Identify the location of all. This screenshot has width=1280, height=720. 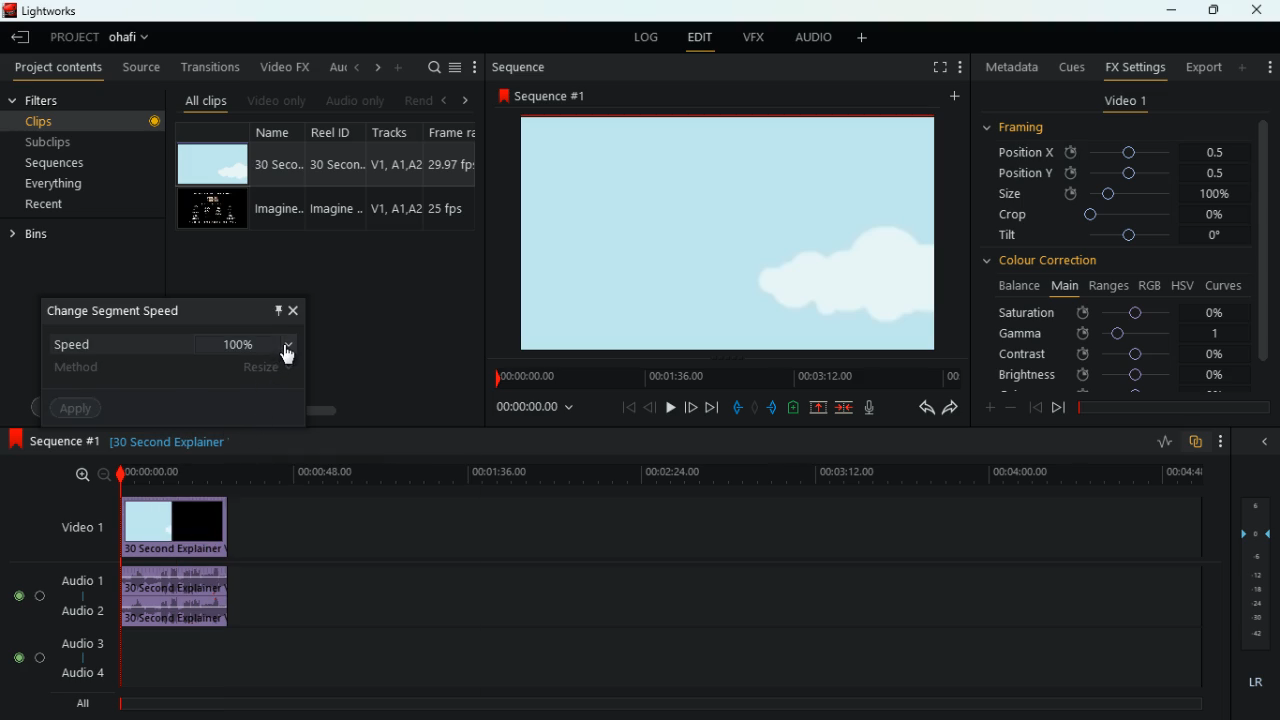
(78, 702).